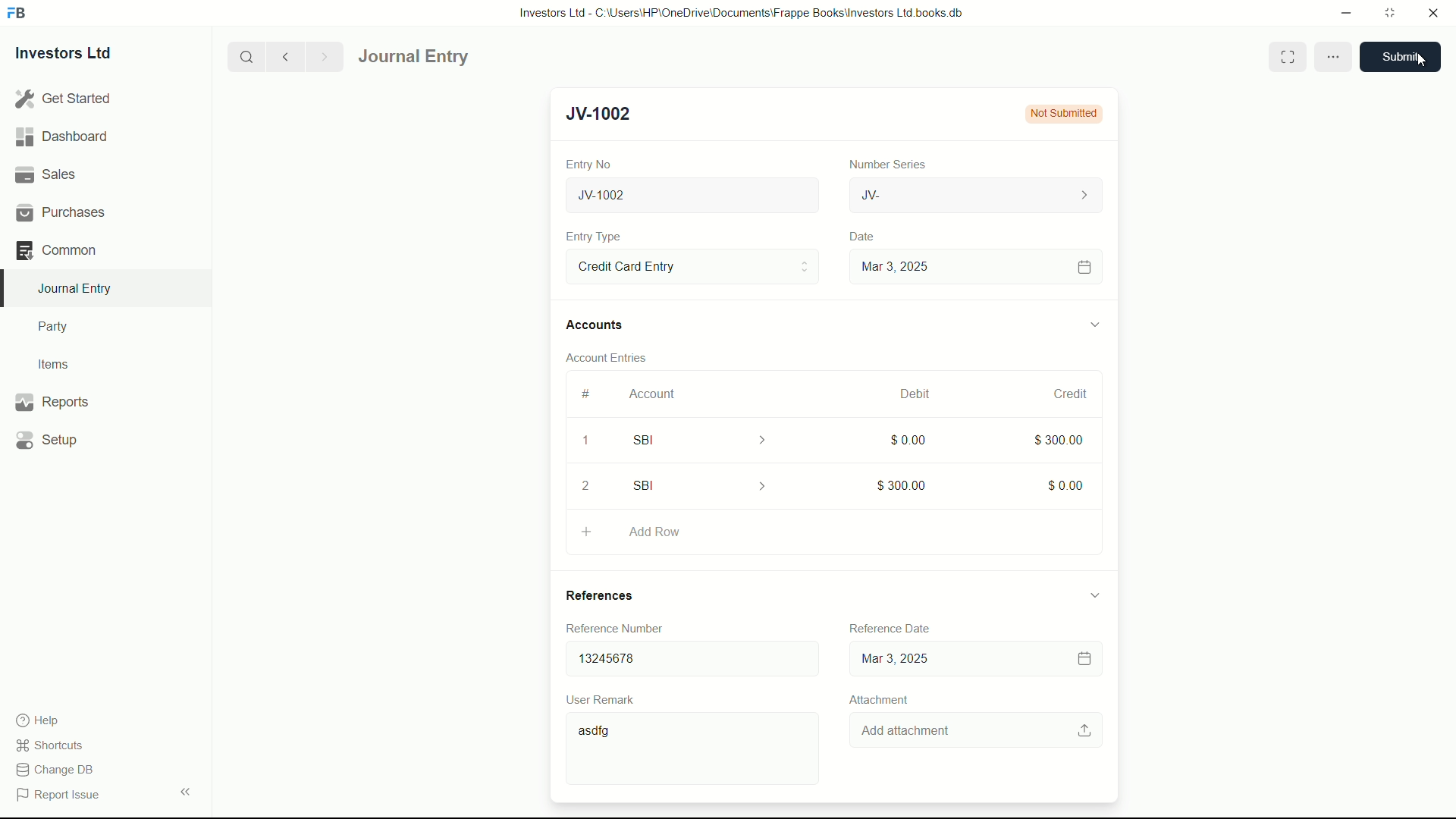 The height and width of the screenshot is (819, 1456). I want to click on minimize, so click(1342, 11).